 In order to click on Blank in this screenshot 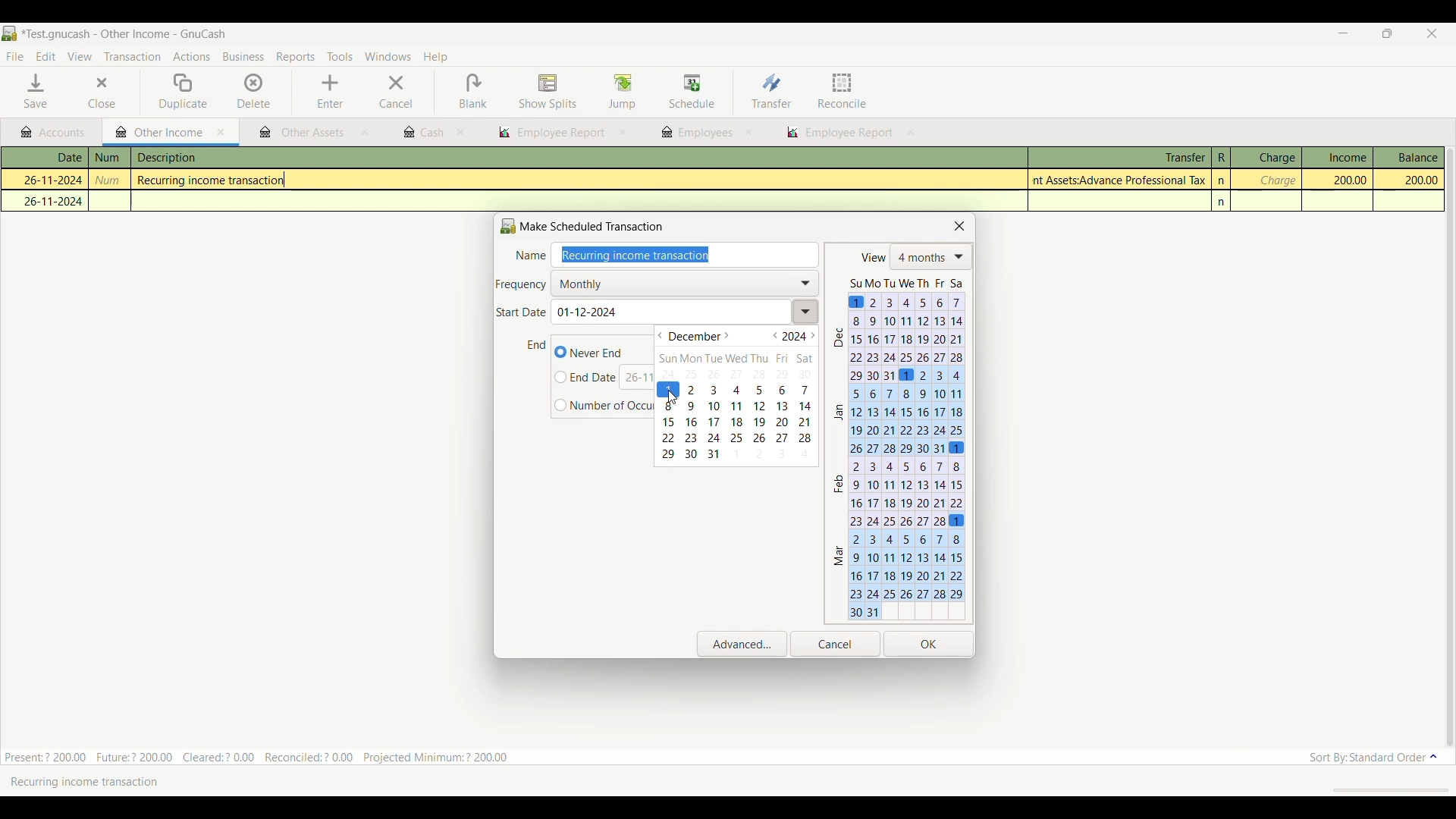, I will do `click(472, 92)`.